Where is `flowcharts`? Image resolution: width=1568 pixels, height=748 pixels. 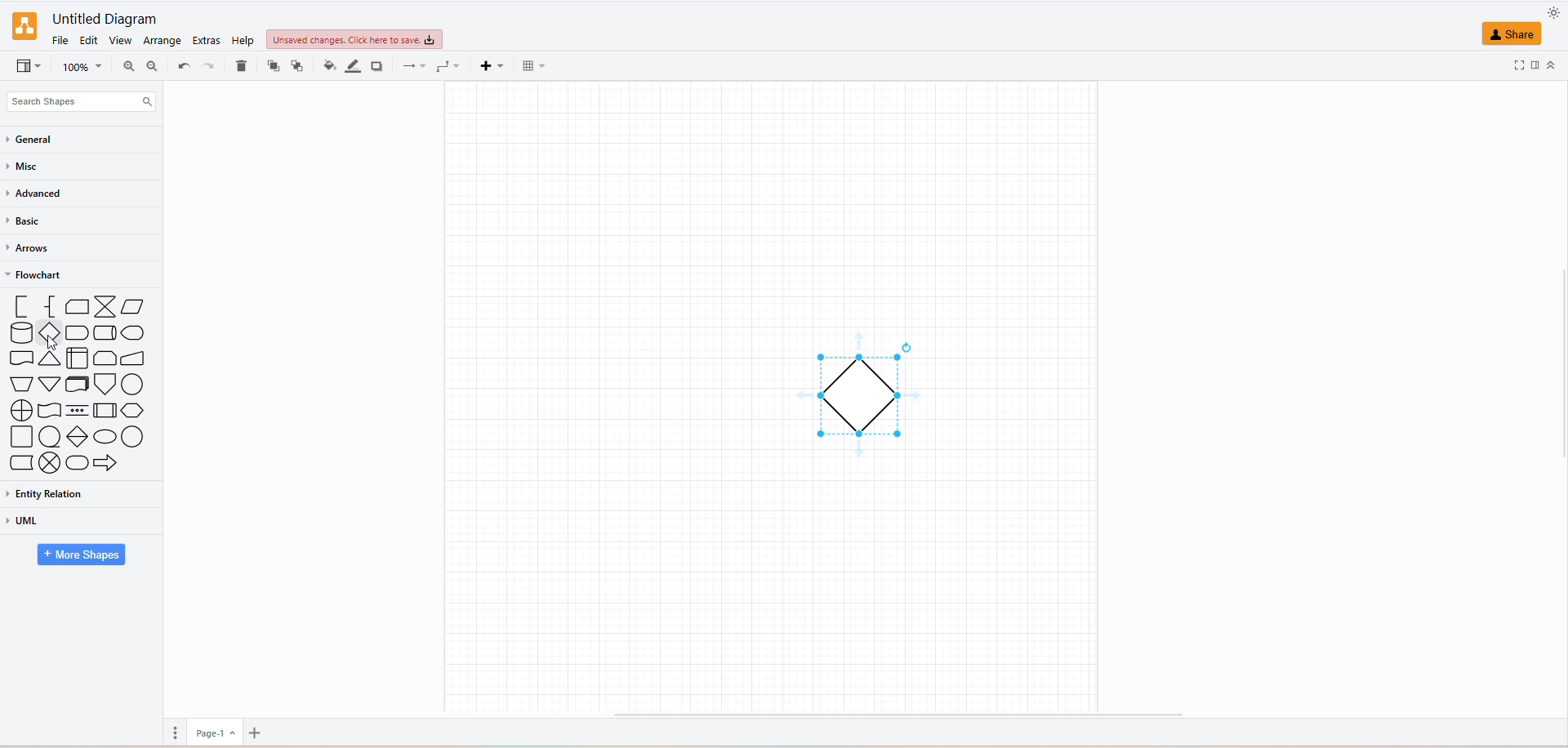
flowcharts is located at coordinates (80, 386).